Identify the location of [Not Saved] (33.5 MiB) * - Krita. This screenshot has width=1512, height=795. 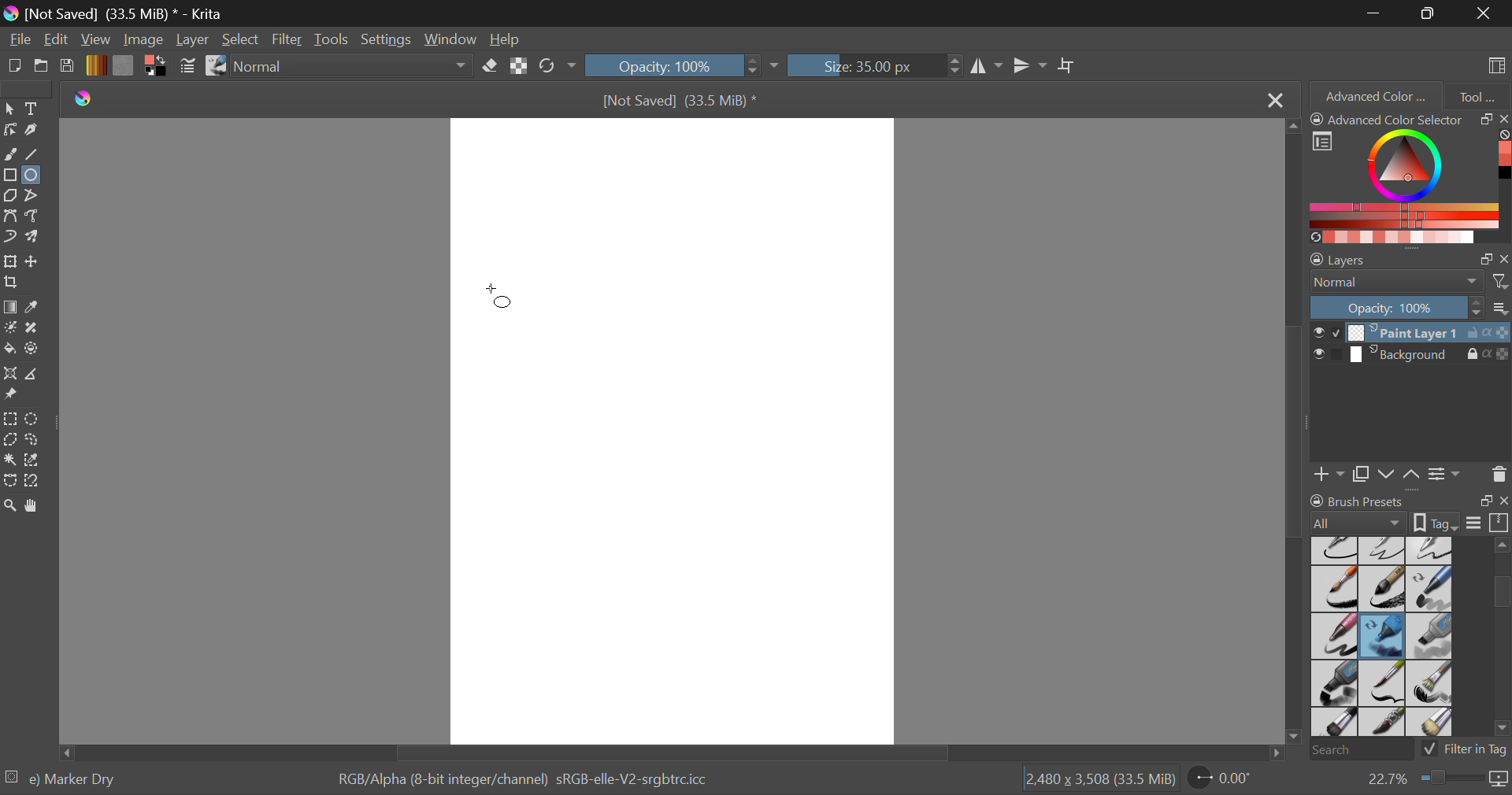
(128, 15).